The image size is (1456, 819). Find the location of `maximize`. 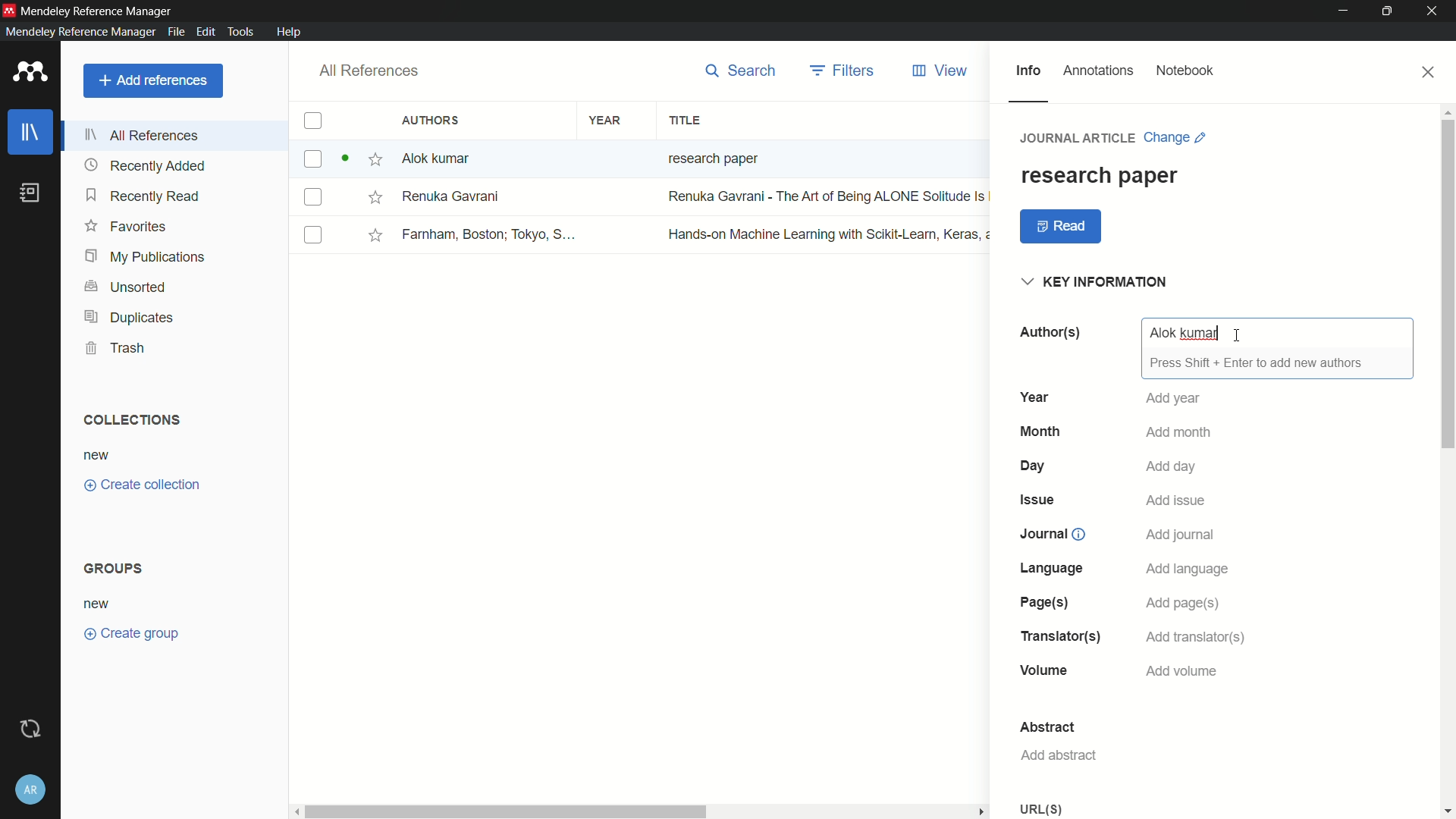

maximize is located at coordinates (1390, 11).